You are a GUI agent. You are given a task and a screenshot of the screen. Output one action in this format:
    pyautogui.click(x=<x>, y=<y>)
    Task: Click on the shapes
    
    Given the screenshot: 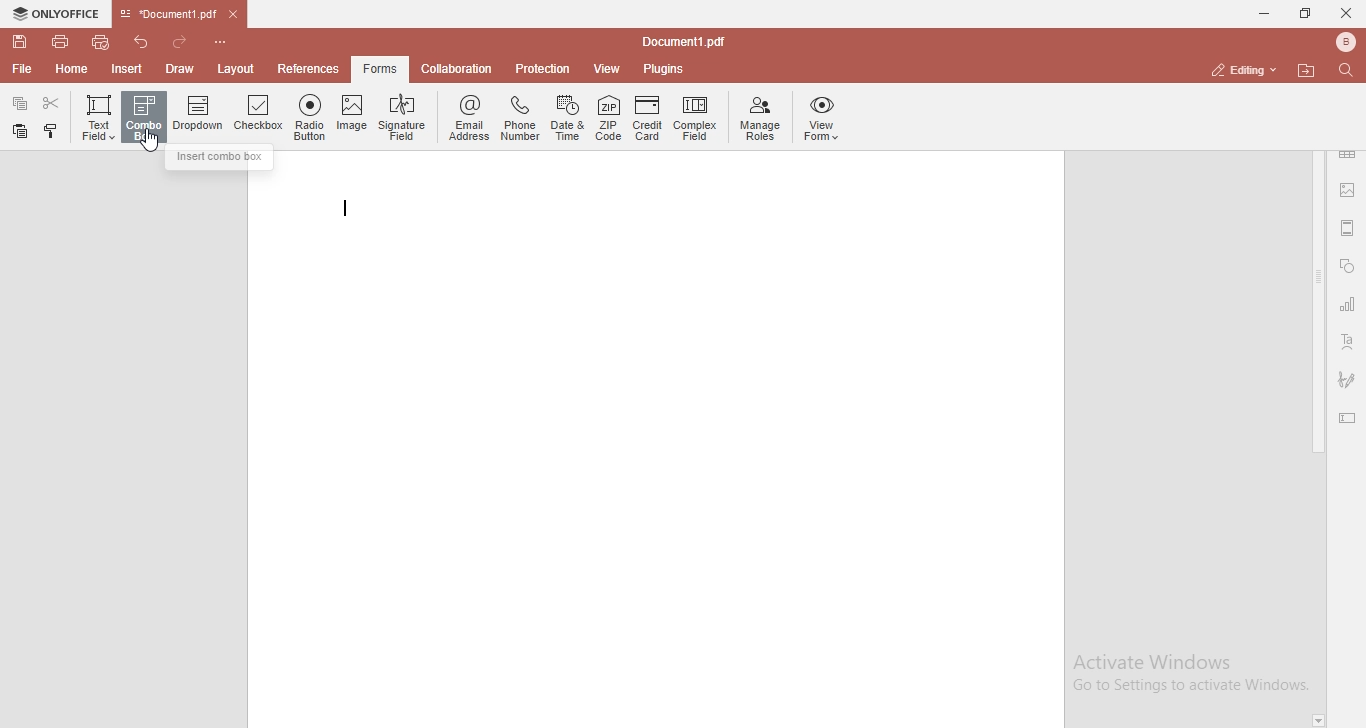 What is the action you would take?
    pyautogui.click(x=1347, y=268)
    